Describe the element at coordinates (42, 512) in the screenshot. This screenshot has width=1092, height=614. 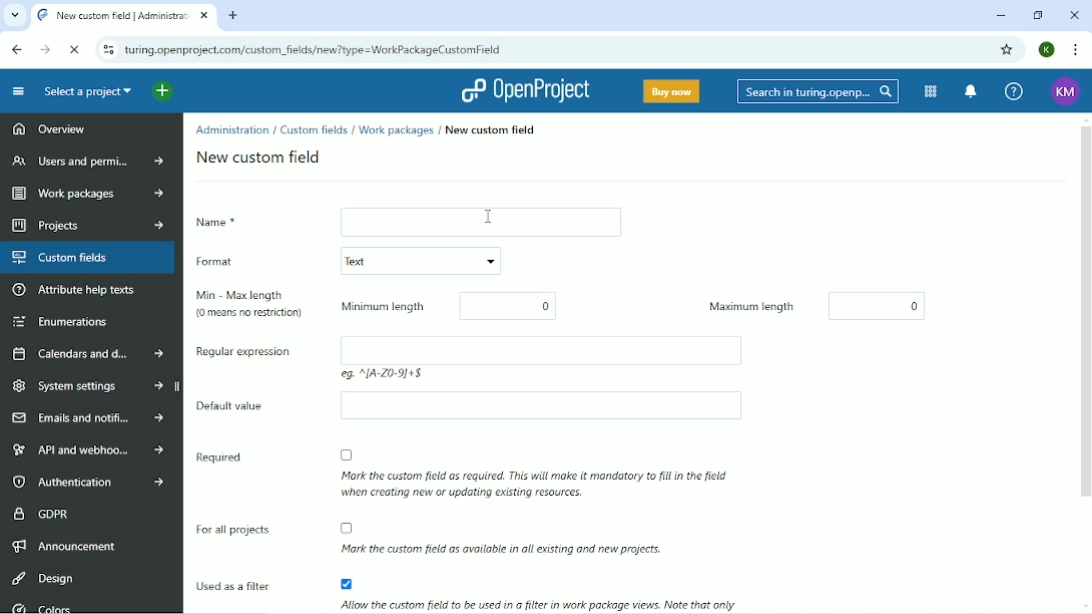
I see `GDPR` at that location.